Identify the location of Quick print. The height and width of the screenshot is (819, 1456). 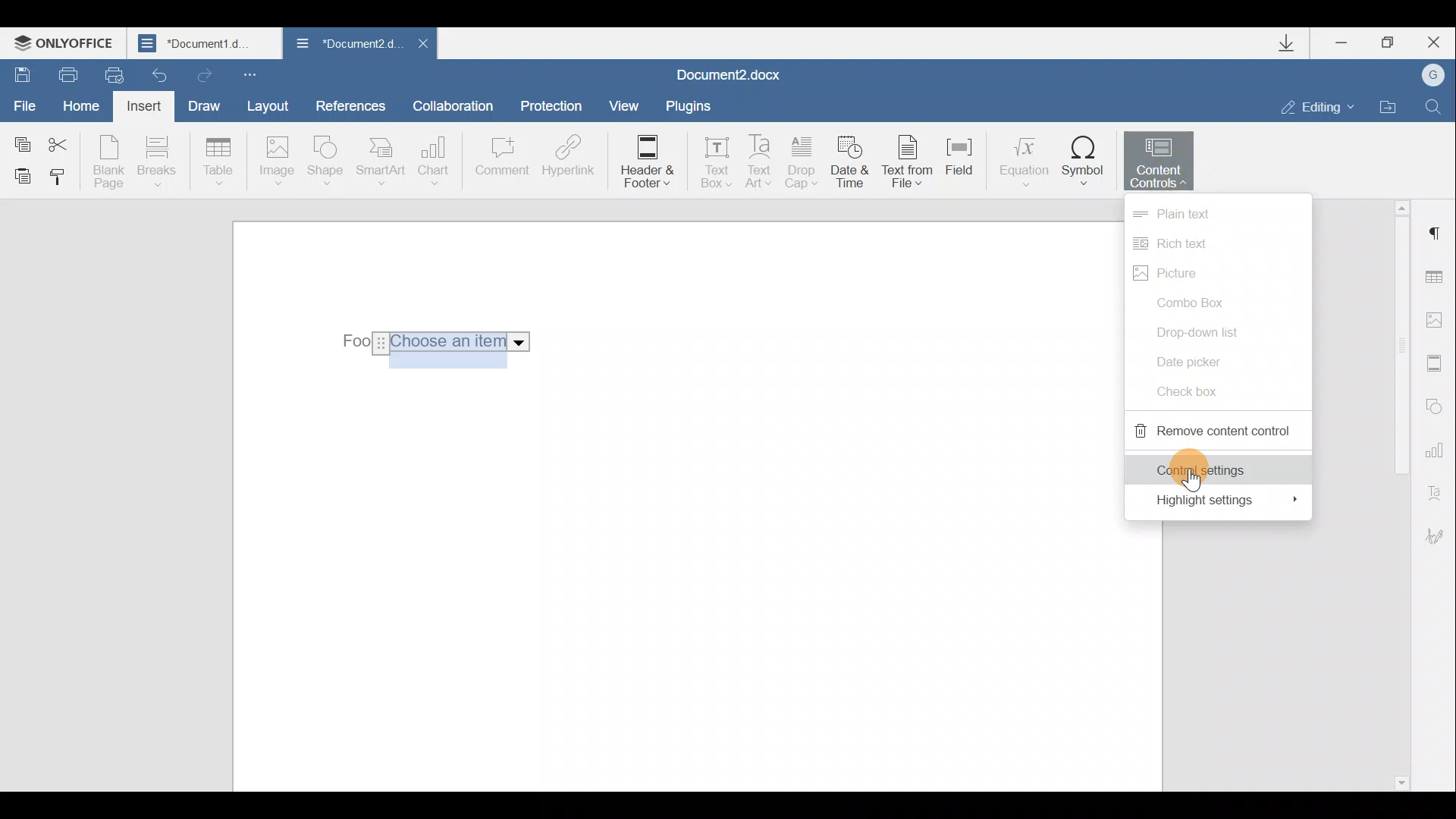
(112, 76).